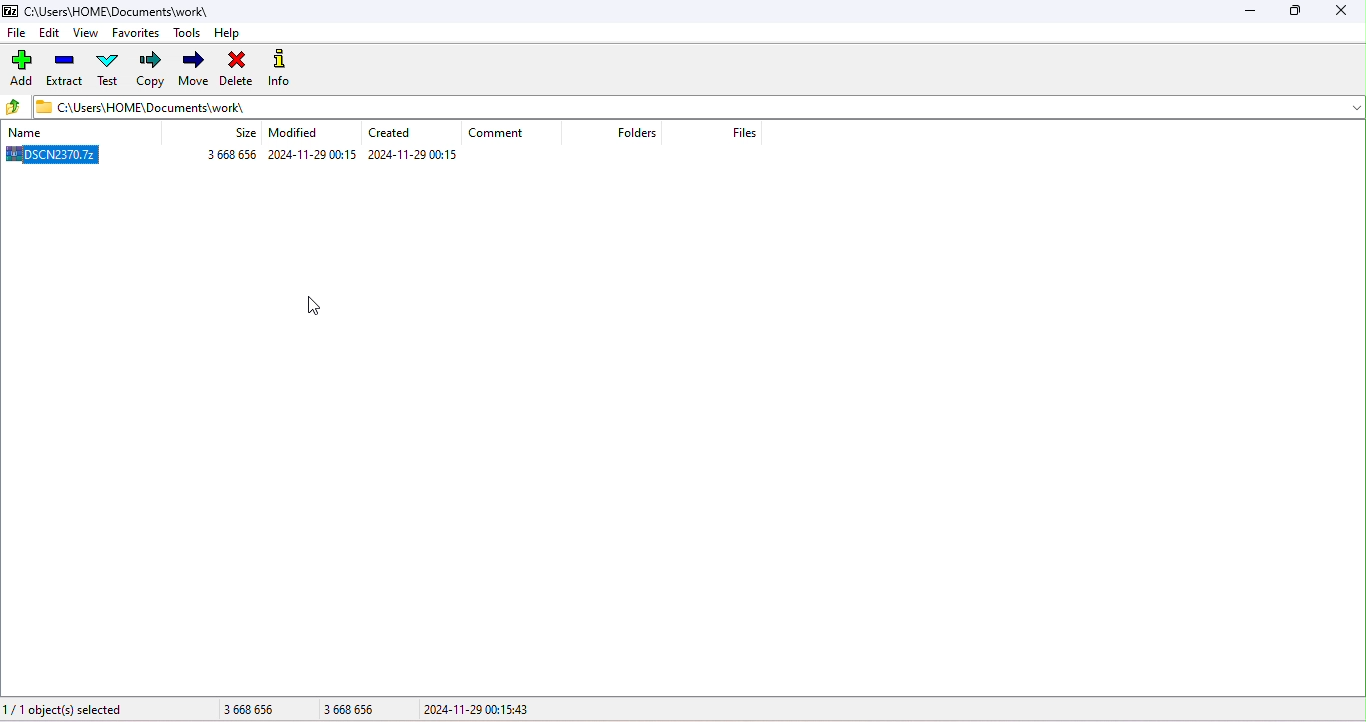 The width and height of the screenshot is (1366, 722). Describe the element at coordinates (15, 108) in the screenshot. I see `up to previous folder` at that location.